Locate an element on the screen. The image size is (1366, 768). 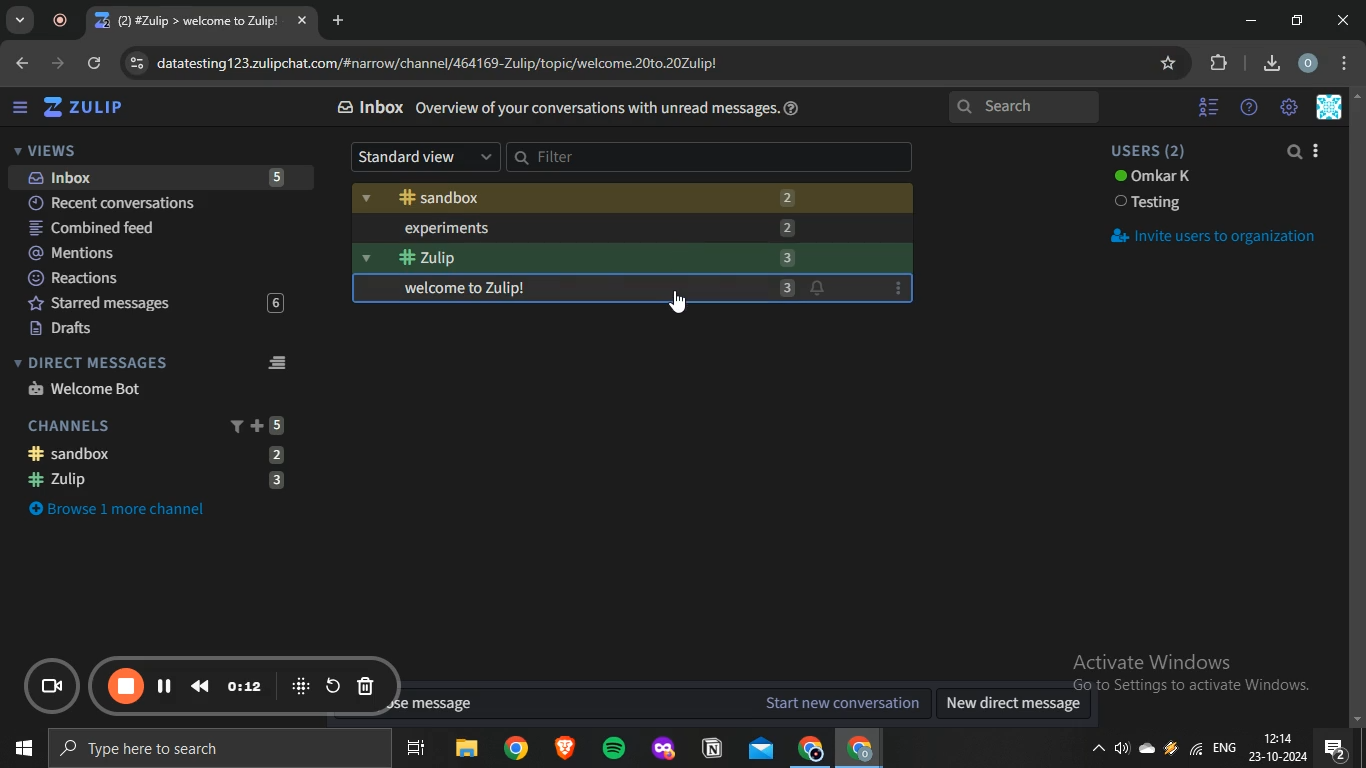
text is located at coordinates (1151, 204).